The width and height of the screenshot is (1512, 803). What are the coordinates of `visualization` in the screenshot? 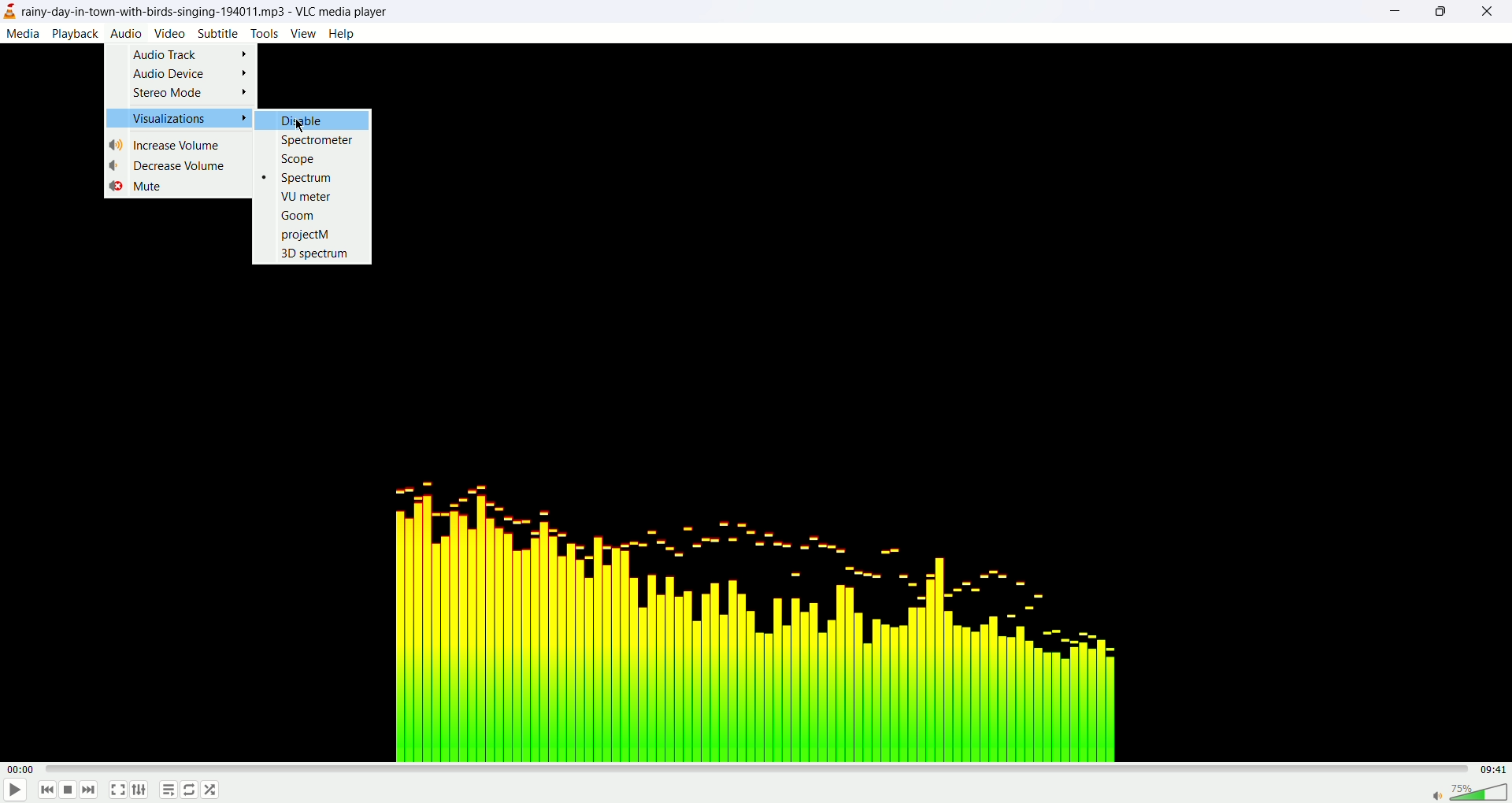 It's located at (178, 118).